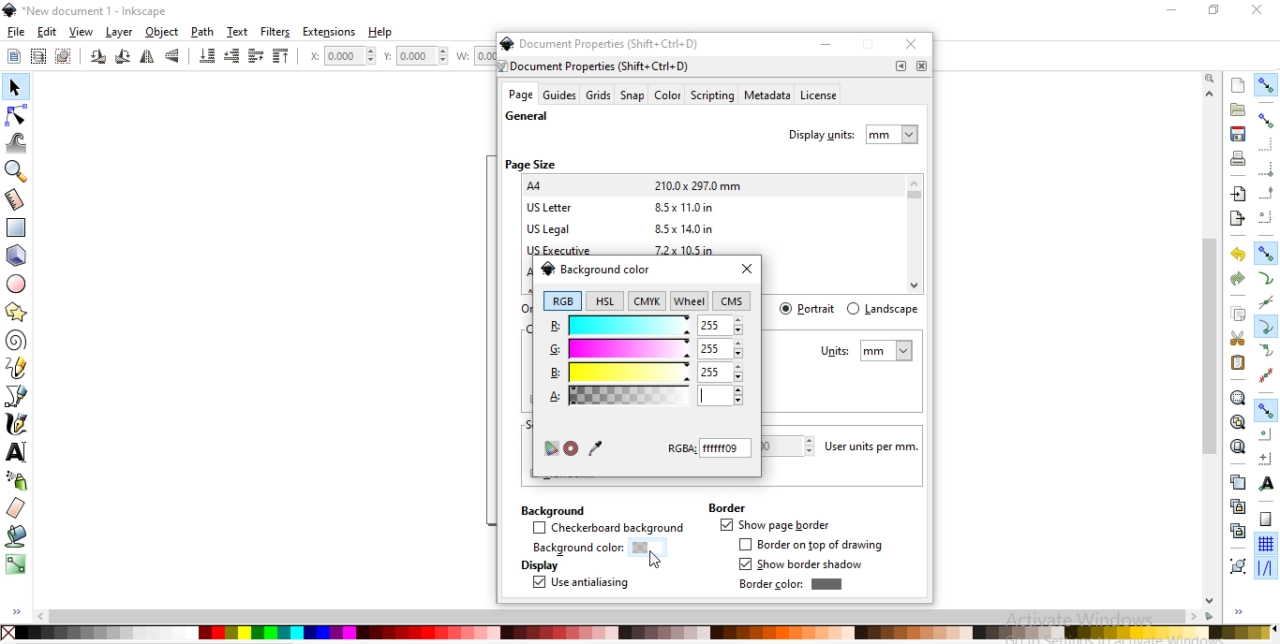 Image resolution: width=1280 pixels, height=644 pixels. Describe the element at coordinates (645, 324) in the screenshot. I see `r` at that location.